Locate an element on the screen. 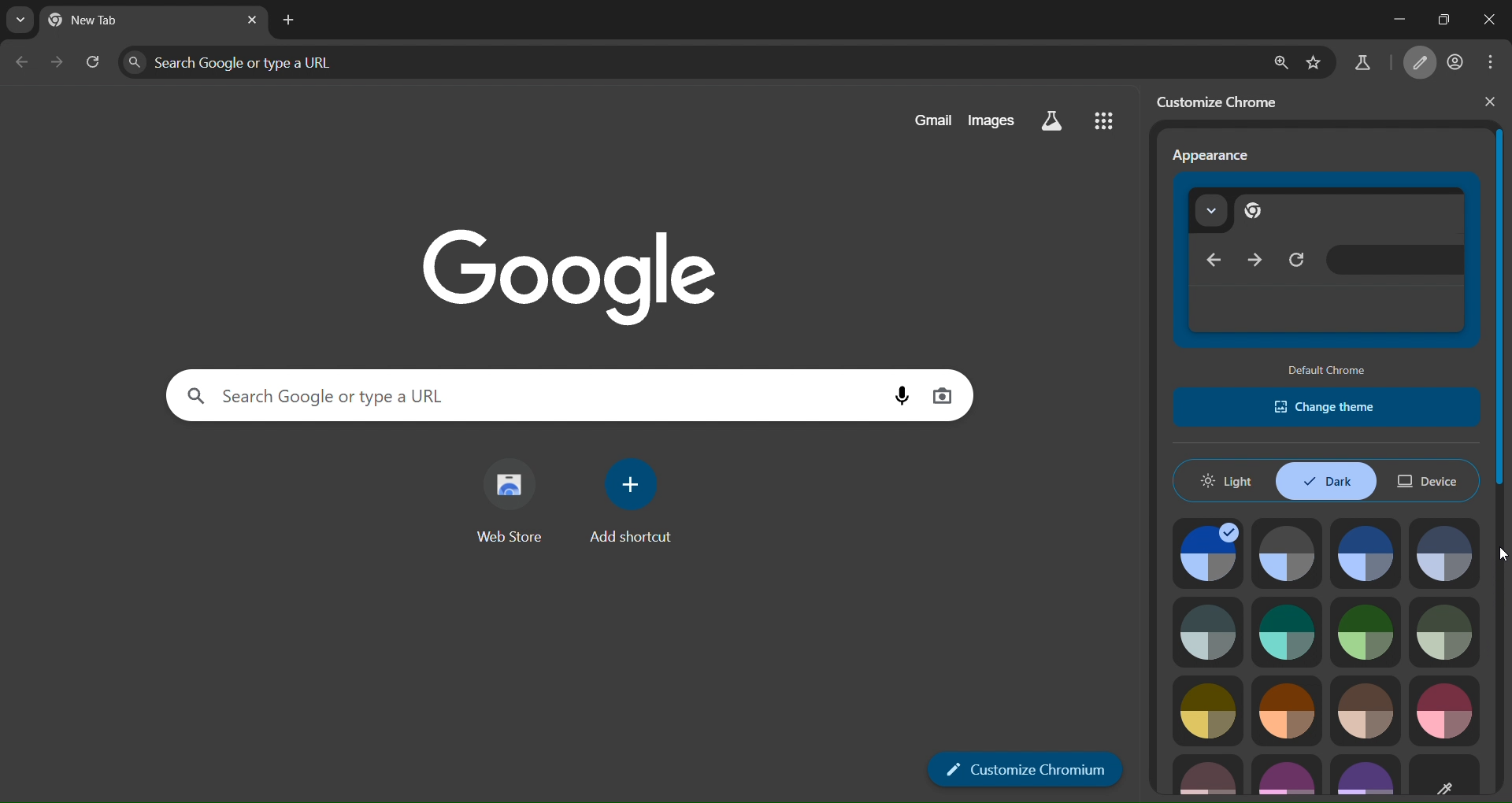  slider is located at coordinates (1503, 446).